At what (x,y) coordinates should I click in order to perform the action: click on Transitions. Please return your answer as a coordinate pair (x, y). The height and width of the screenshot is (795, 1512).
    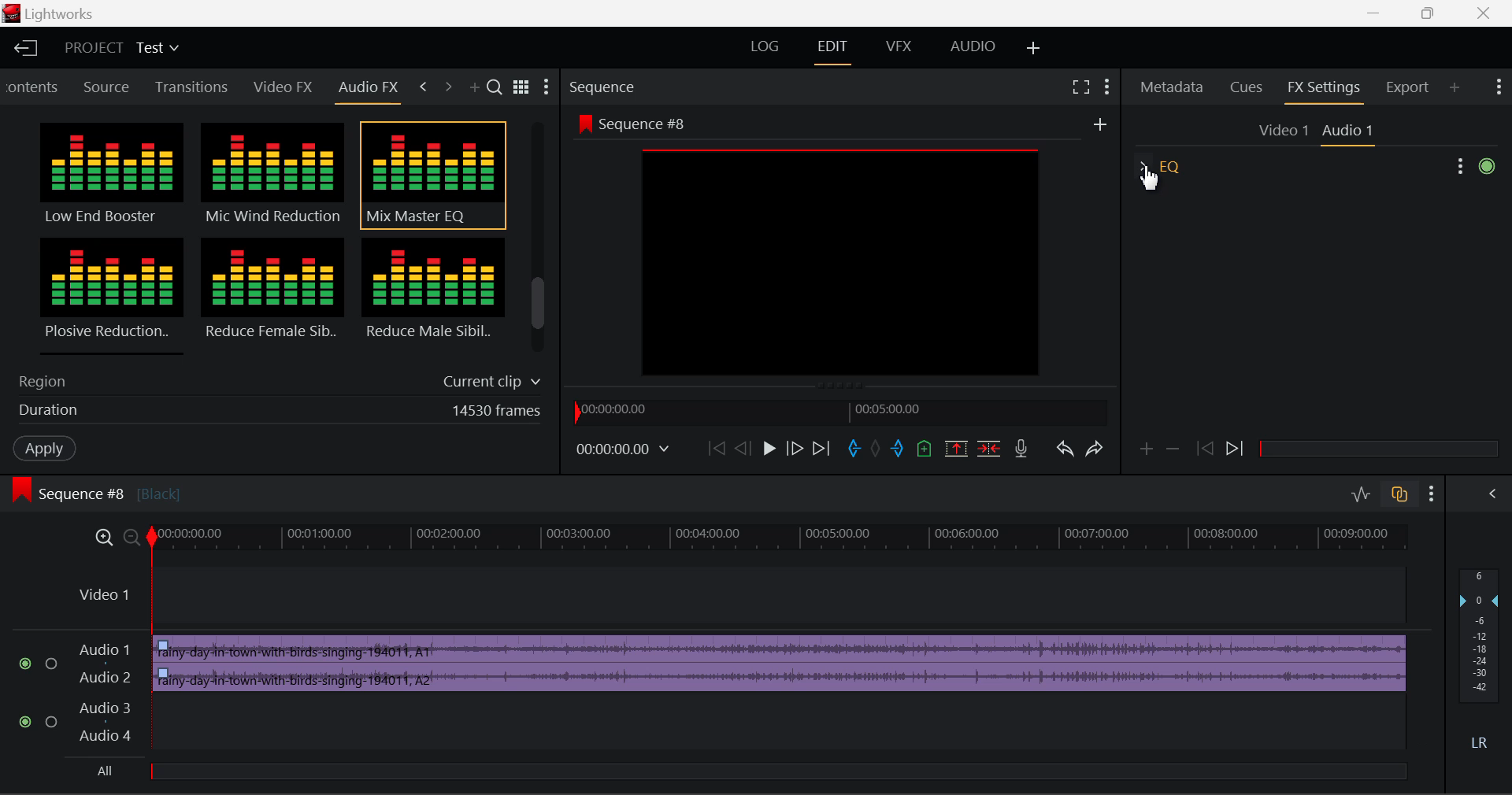
    Looking at the image, I should click on (192, 87).